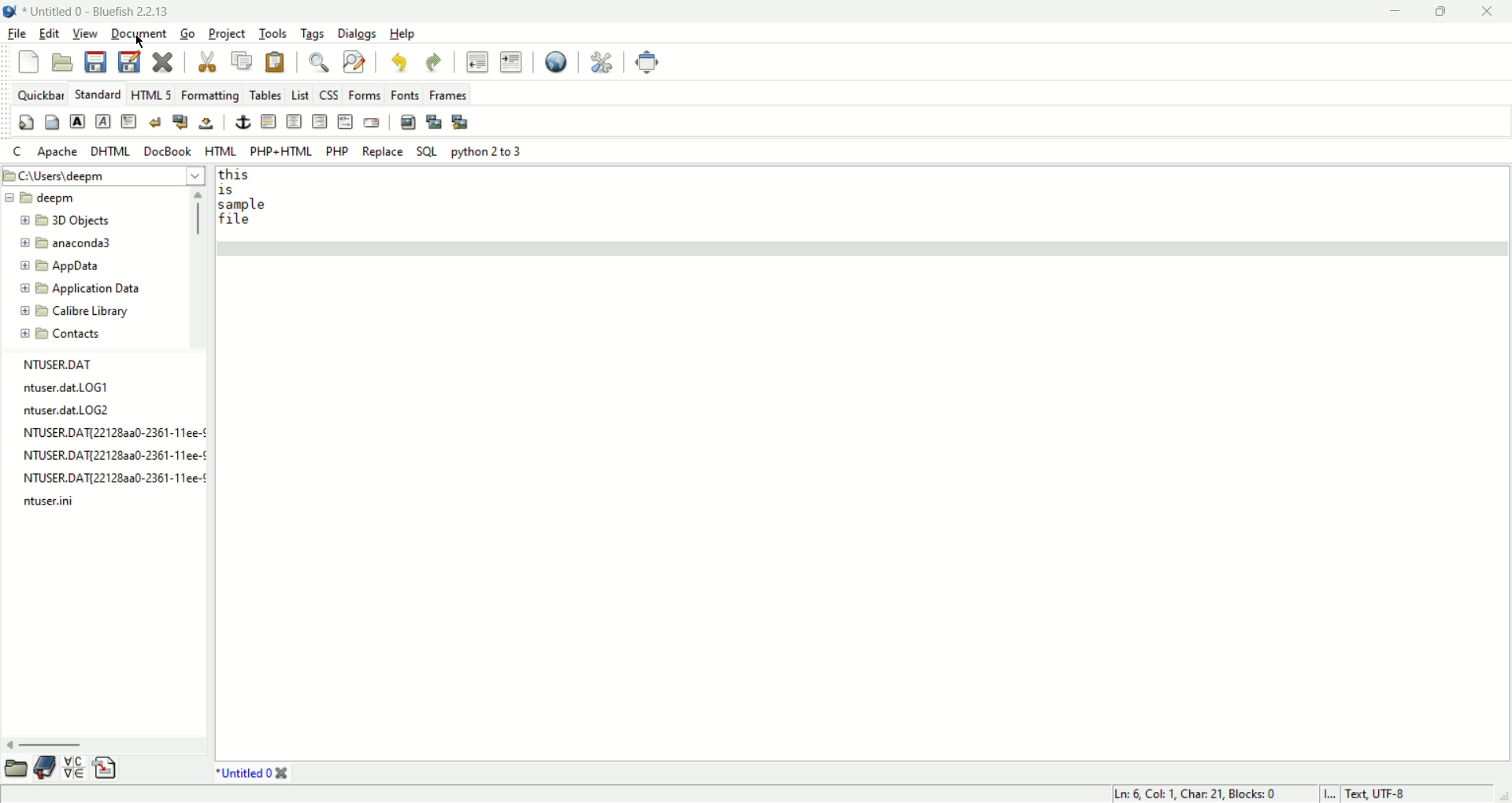 The height and width of the screenshot is (803, 1512). What do you see at coordinates (103, 176) in the screenshot?
I see `location` at bounding box center [103, 176].